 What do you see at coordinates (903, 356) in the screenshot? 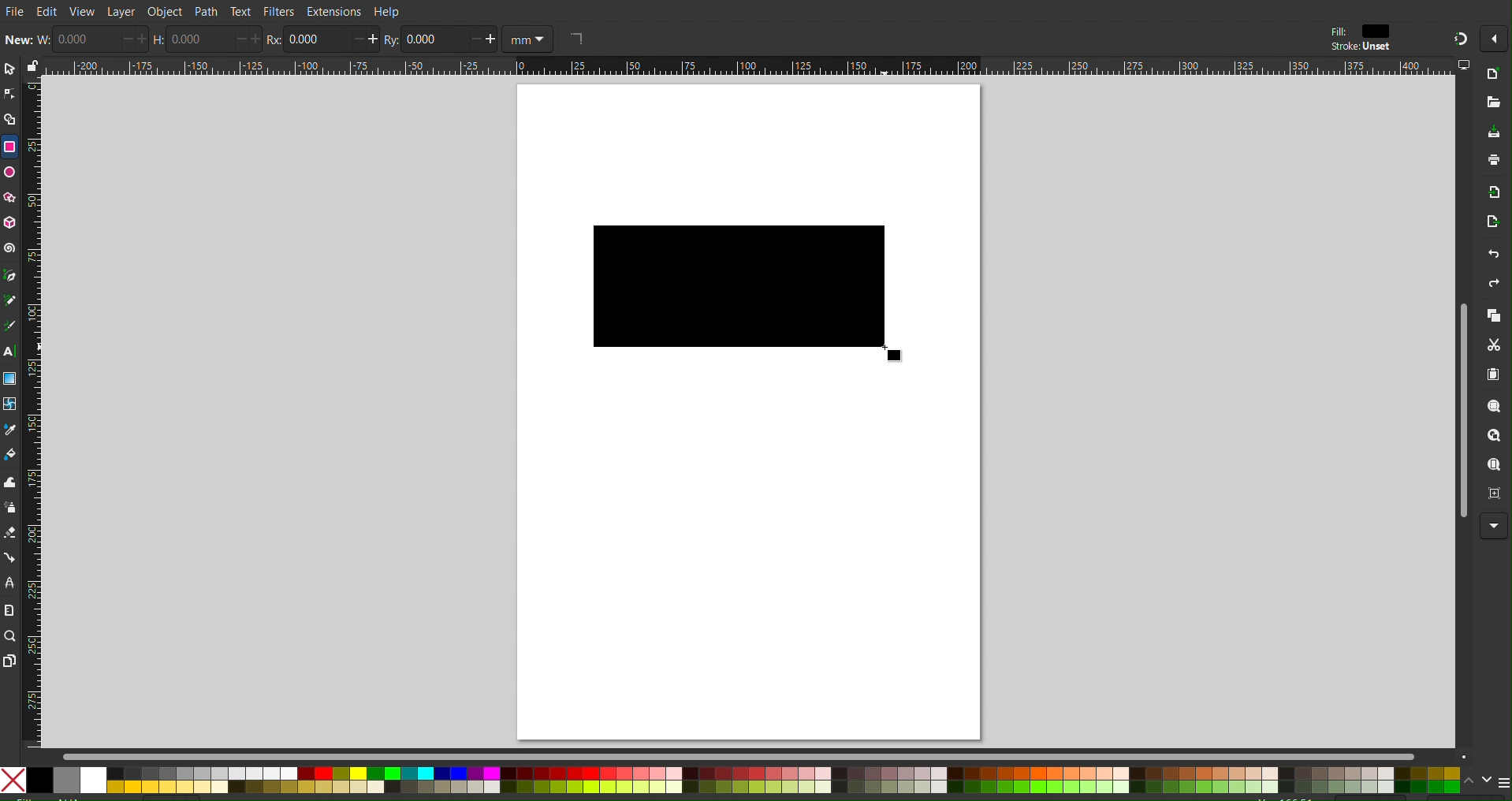
I see `cursor` at bounding box center [903, 356].